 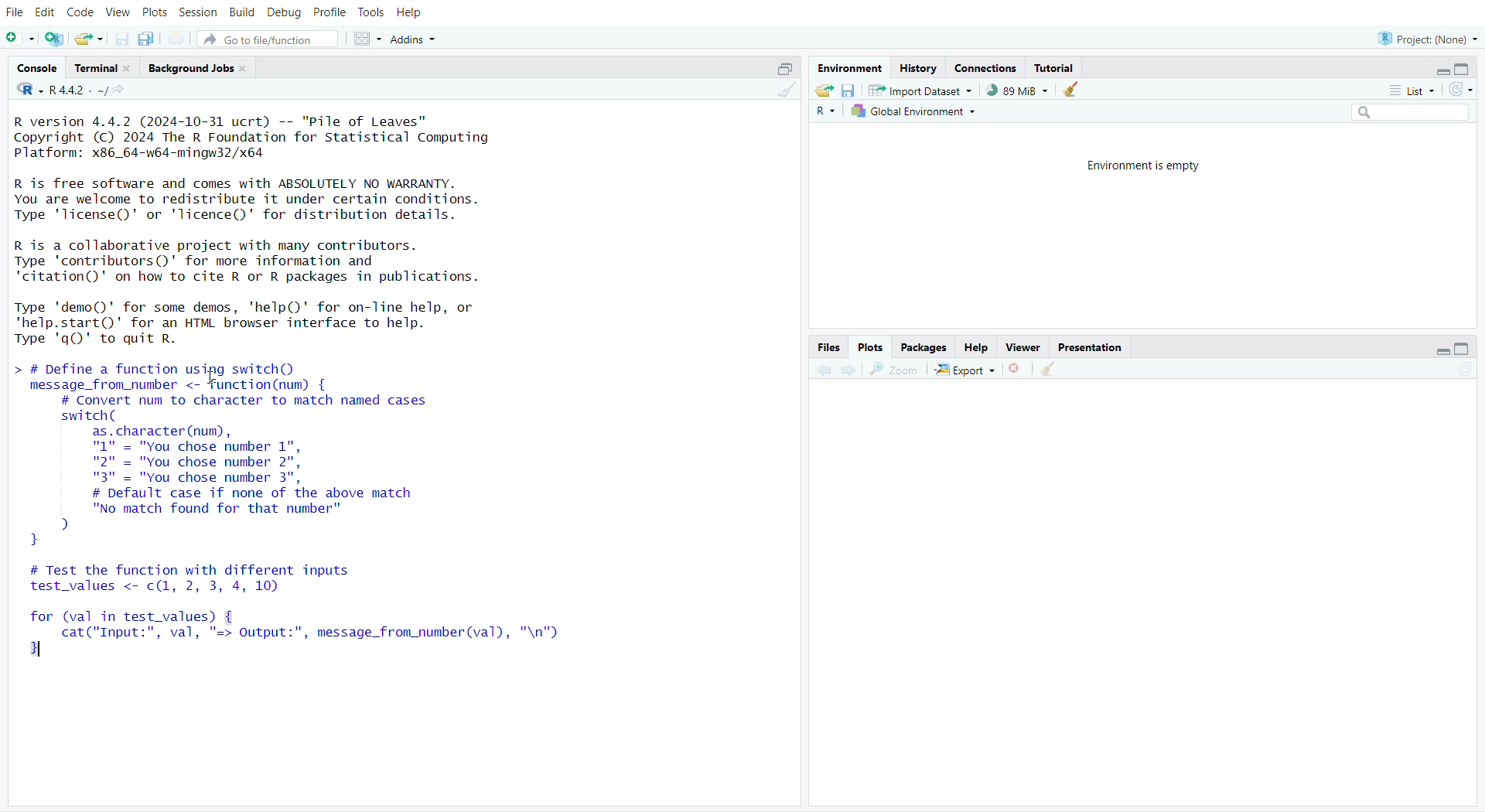 I want to click on Clear console (Ctrl +L), so click(x=1053, y=368).